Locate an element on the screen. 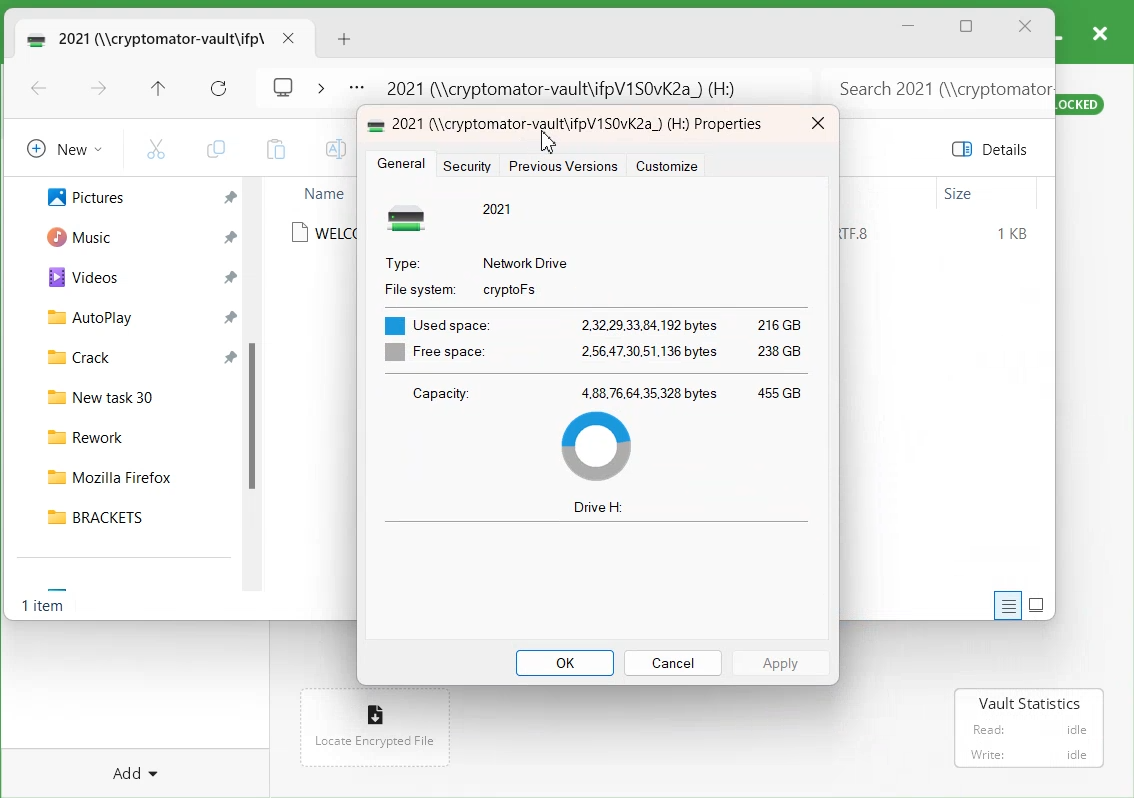 The height and width of the screenshot is (798, 1134). Copy is located at coordinates (215, 149).